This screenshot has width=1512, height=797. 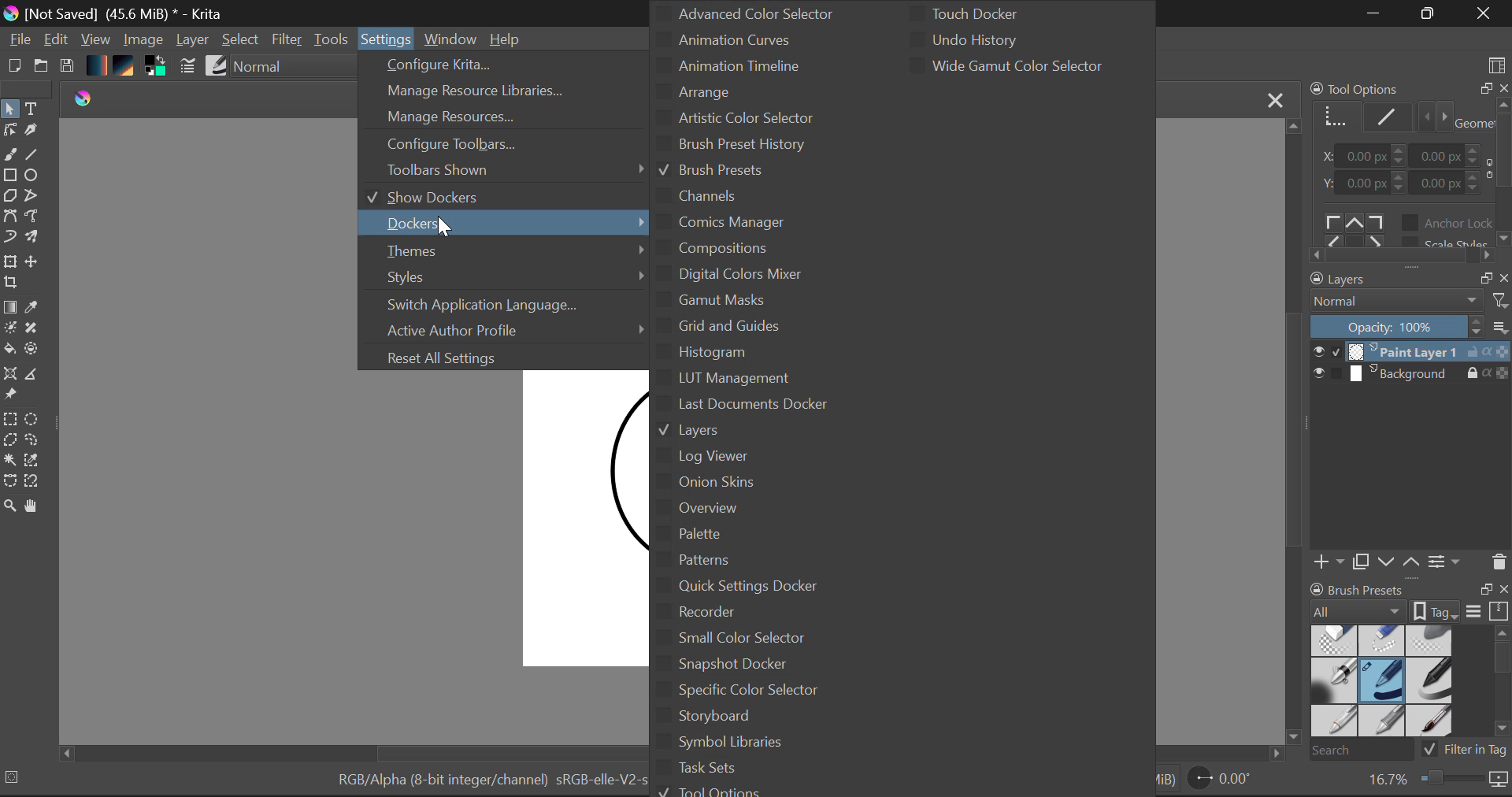 What do you see at coordinates (495, 65) in the screenshot?
I see `Configure Krita` at bounding box center [495, 65].